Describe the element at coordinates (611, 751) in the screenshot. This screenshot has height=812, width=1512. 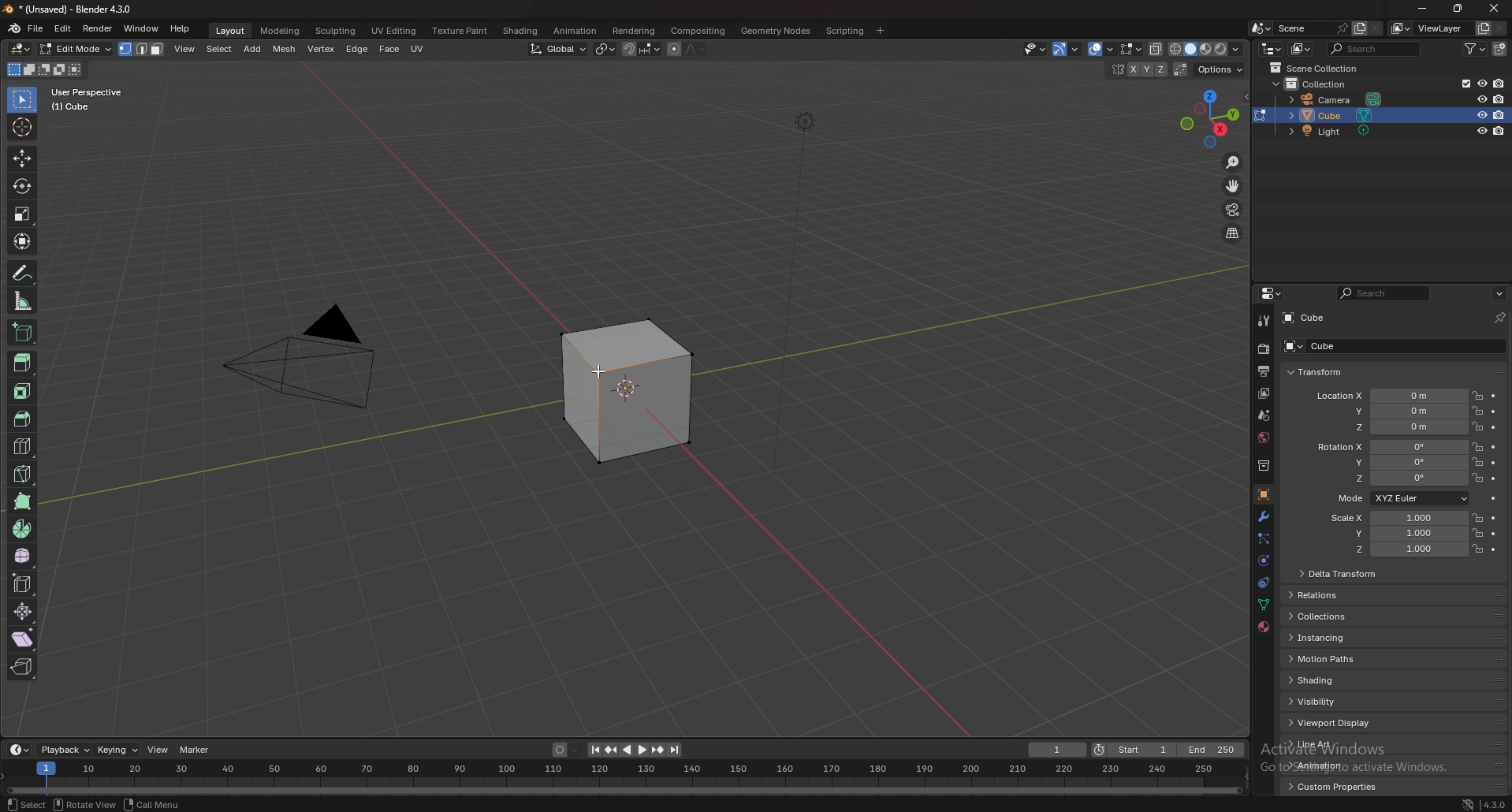
I see `jump to keyframe` at that location.